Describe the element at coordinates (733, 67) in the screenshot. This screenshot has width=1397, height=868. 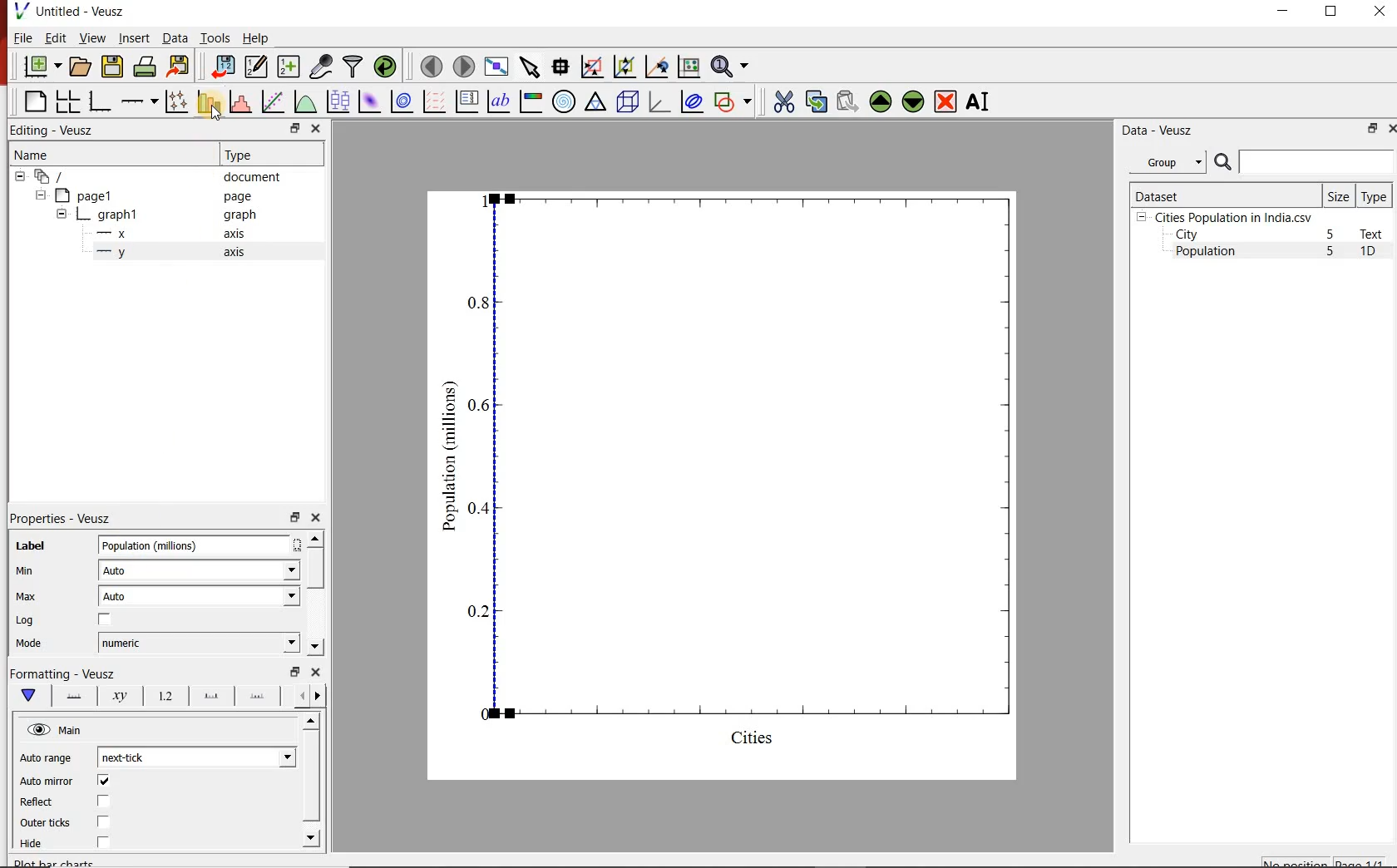
I see `zoom functions menu` at that location.